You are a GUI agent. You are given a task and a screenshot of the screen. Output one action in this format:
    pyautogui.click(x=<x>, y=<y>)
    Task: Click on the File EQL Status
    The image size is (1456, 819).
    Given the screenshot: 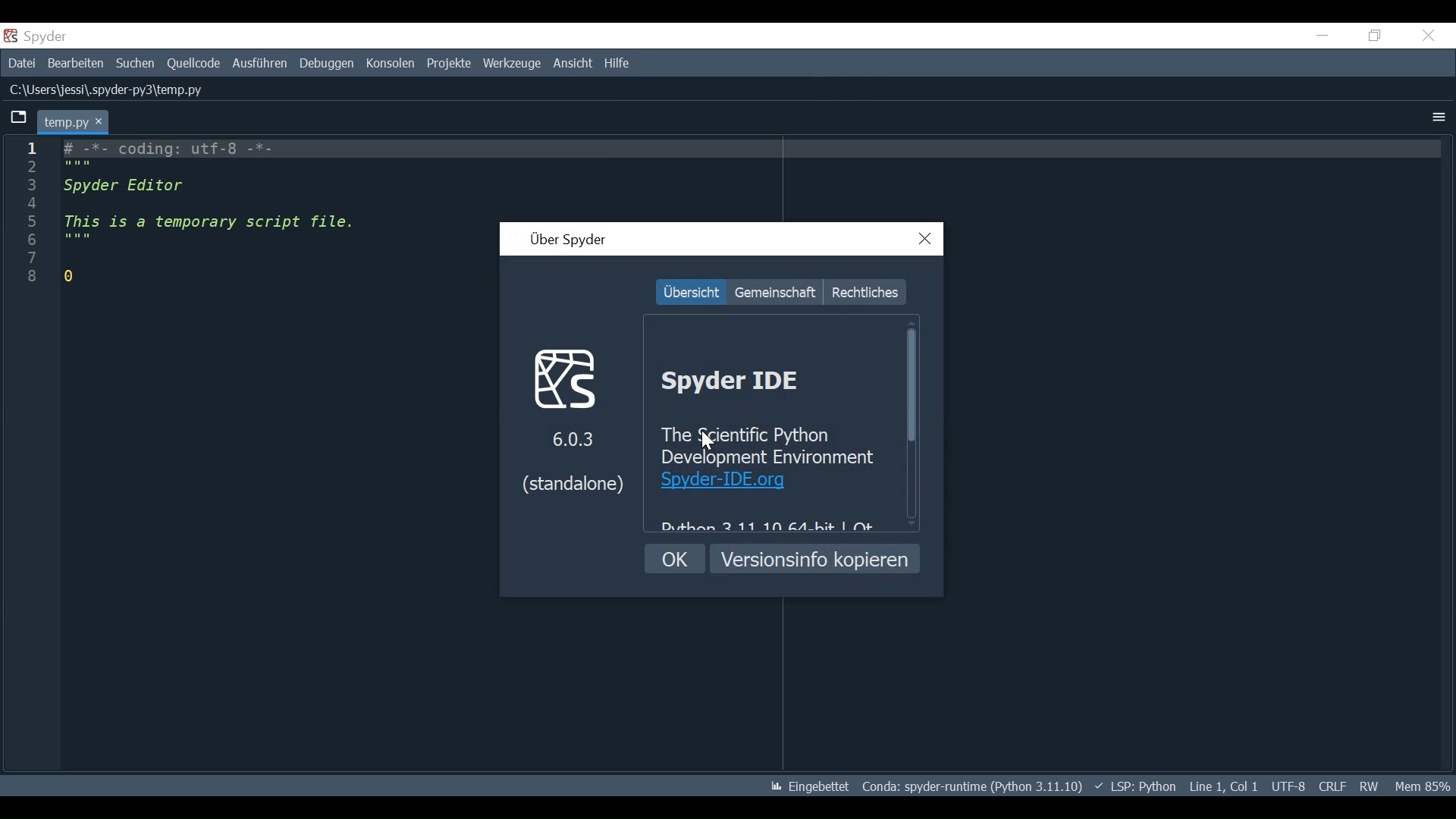 What is the action you would take?
    pyautogui.click(x=1333, y=786)
    